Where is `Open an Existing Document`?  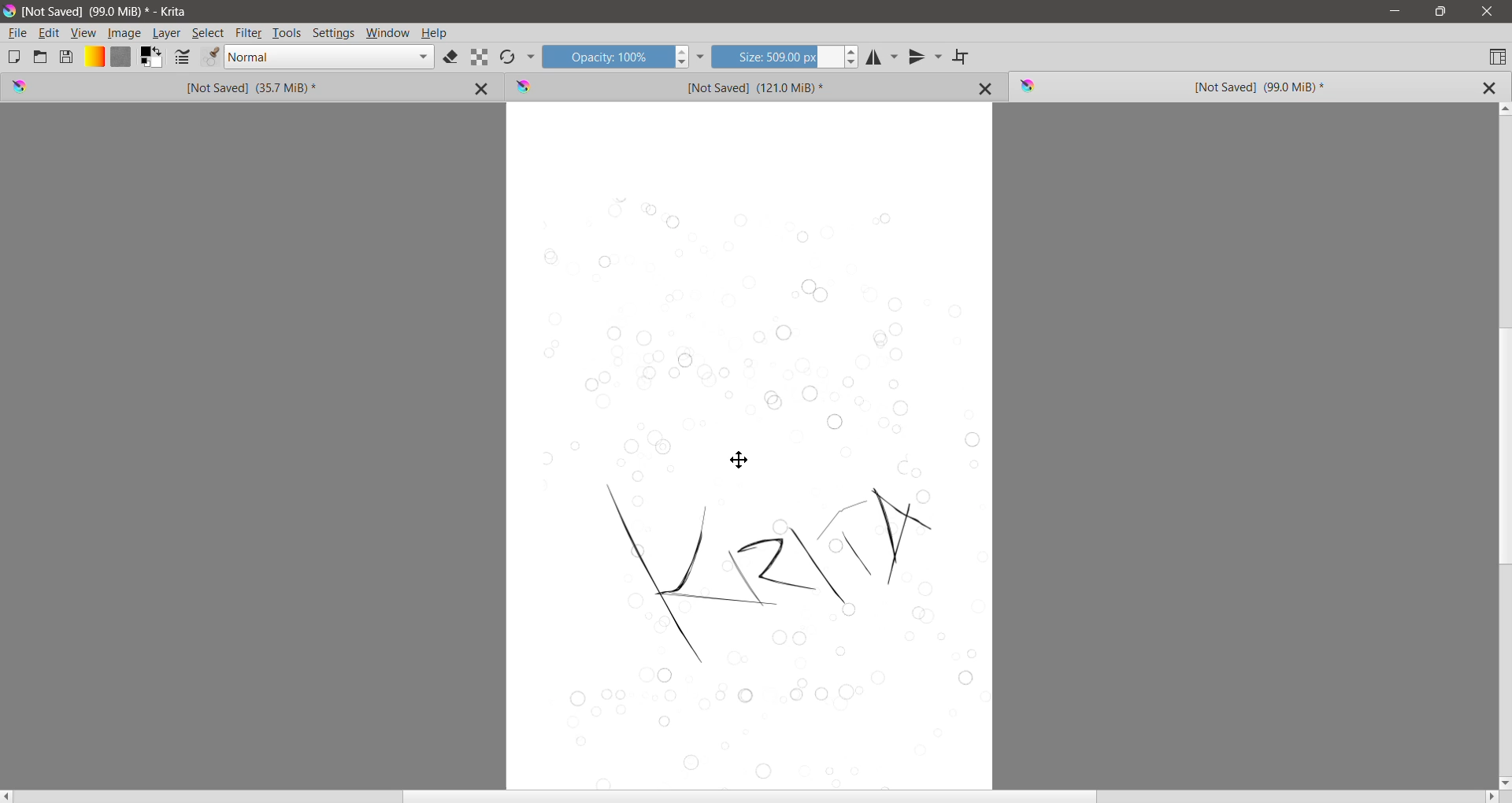
Open an Existing Document is located at coordinates (40, 56).